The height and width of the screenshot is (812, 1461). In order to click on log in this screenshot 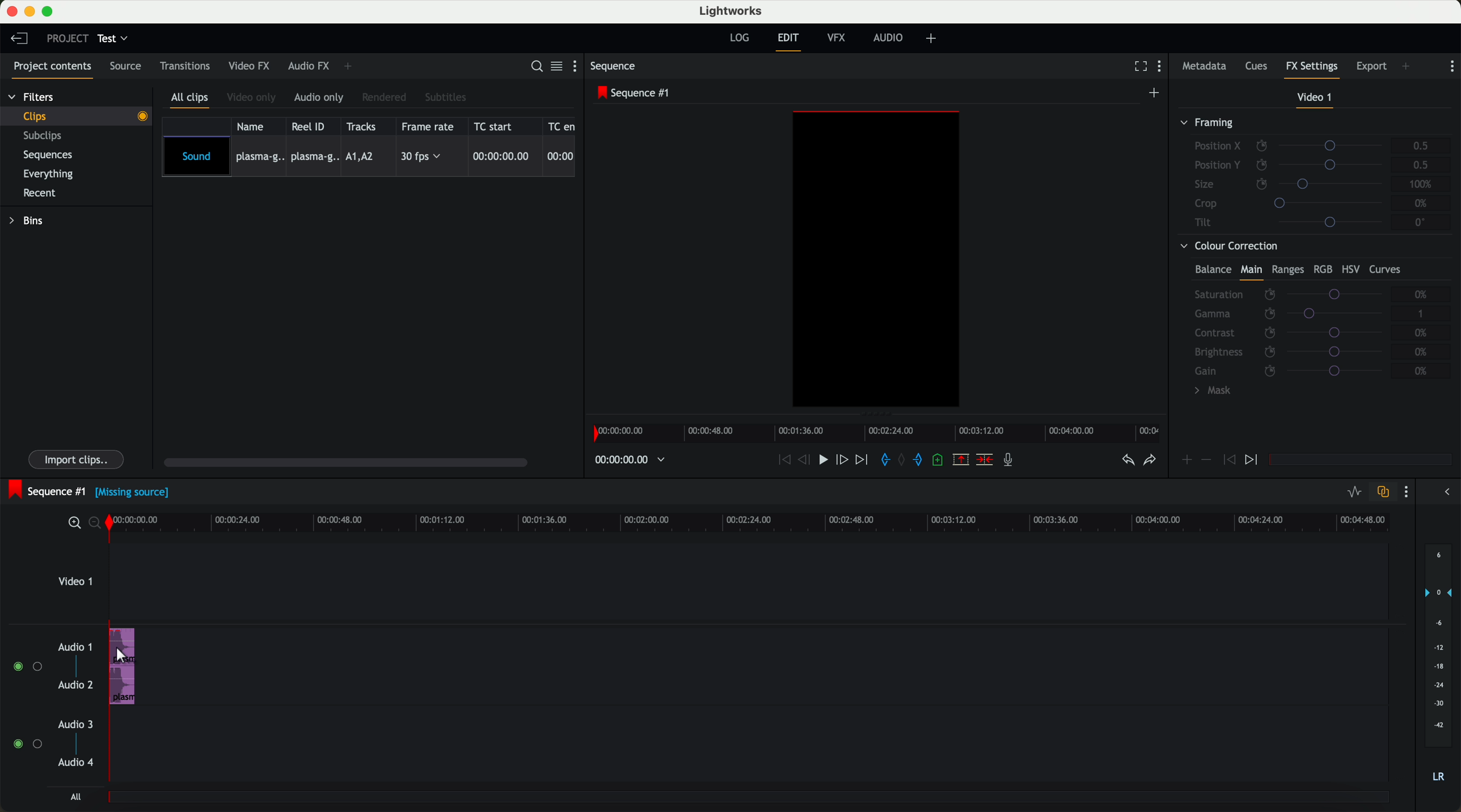, I will do `click(738, 38)`.